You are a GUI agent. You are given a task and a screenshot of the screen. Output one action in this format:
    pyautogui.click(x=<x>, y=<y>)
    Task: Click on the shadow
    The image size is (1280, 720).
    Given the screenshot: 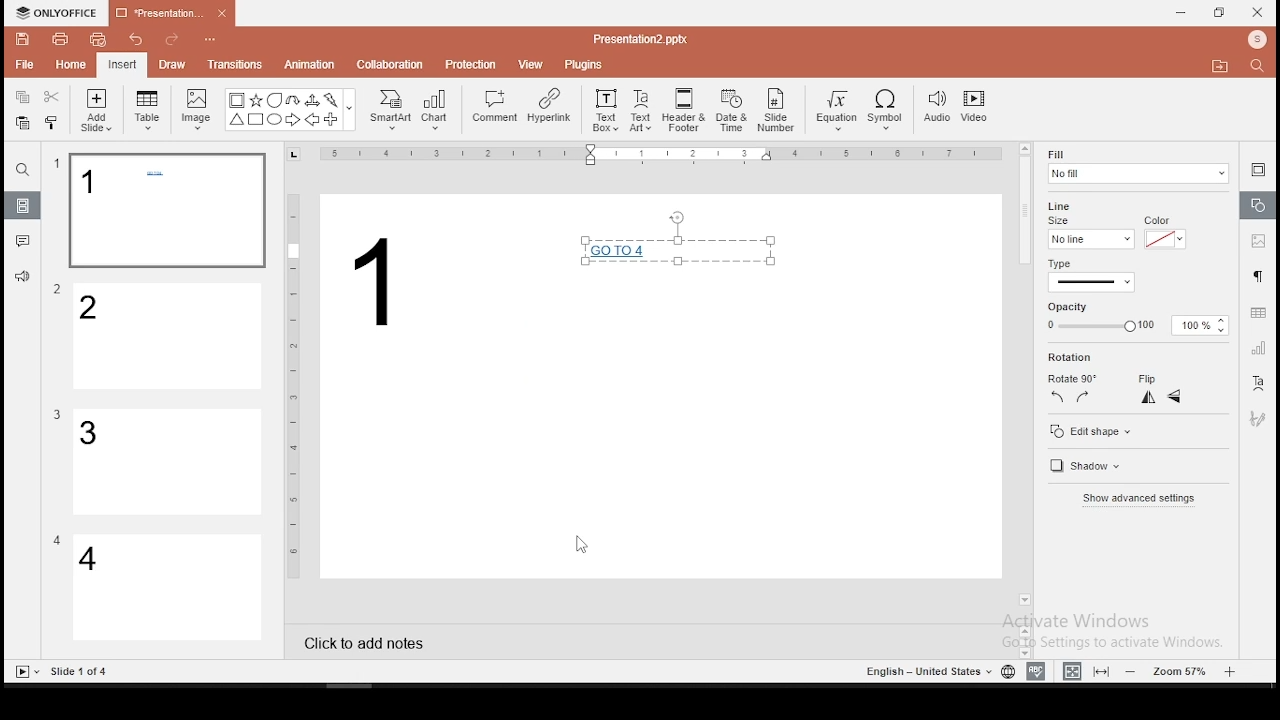 What is the action you would take?
    pyautogui.click(x=1082, y=468)
    